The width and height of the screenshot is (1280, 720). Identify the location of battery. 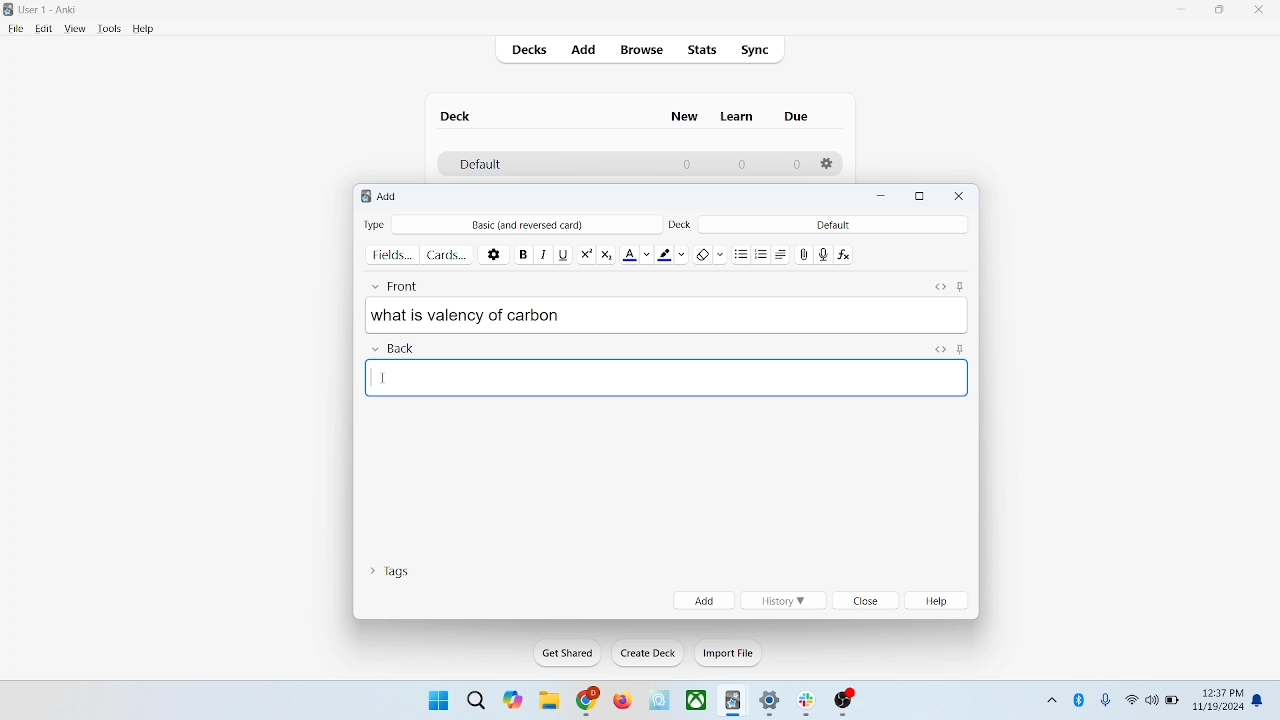
(1173, 702).